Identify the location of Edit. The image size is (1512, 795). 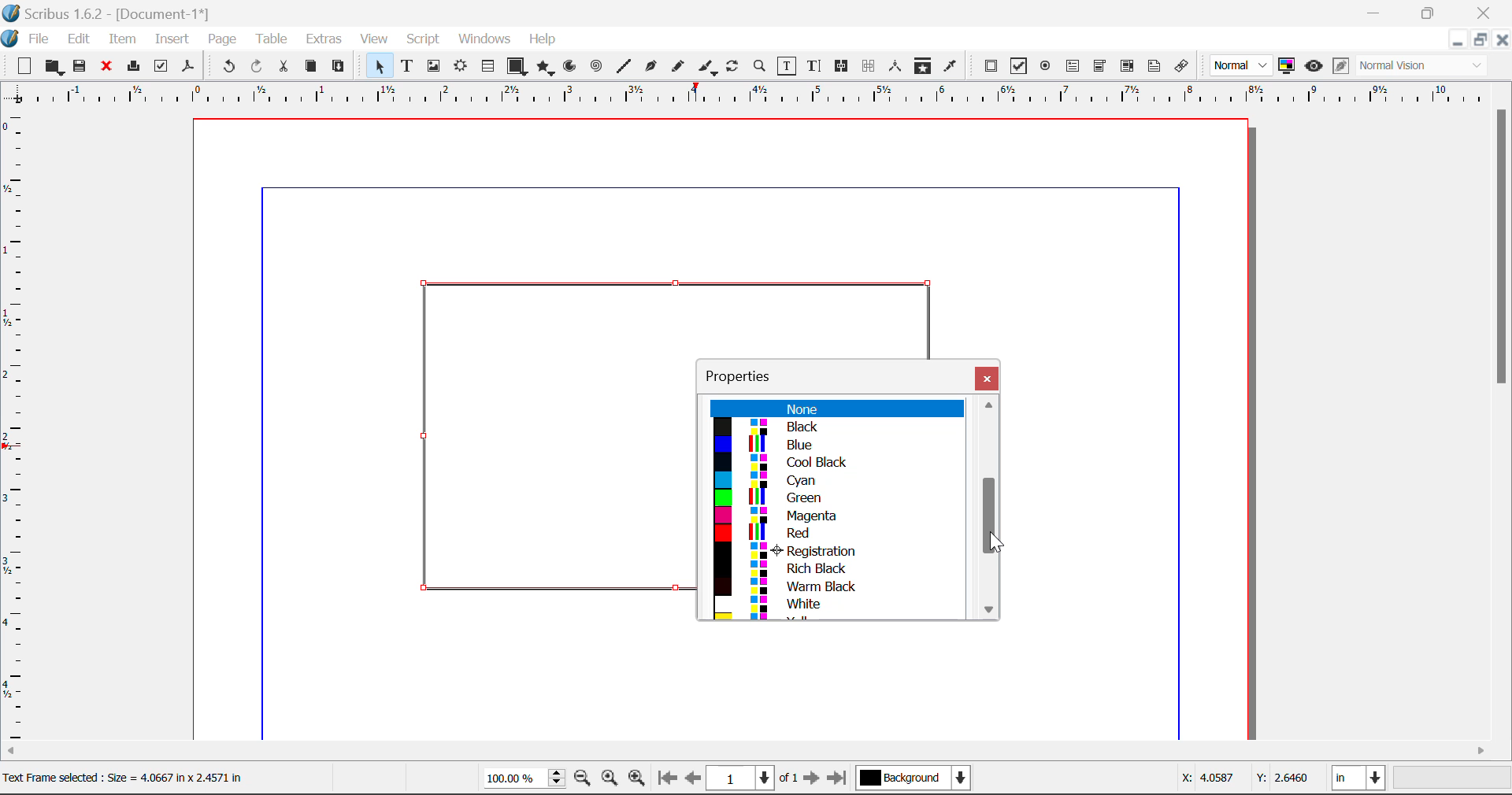
(79, 38).